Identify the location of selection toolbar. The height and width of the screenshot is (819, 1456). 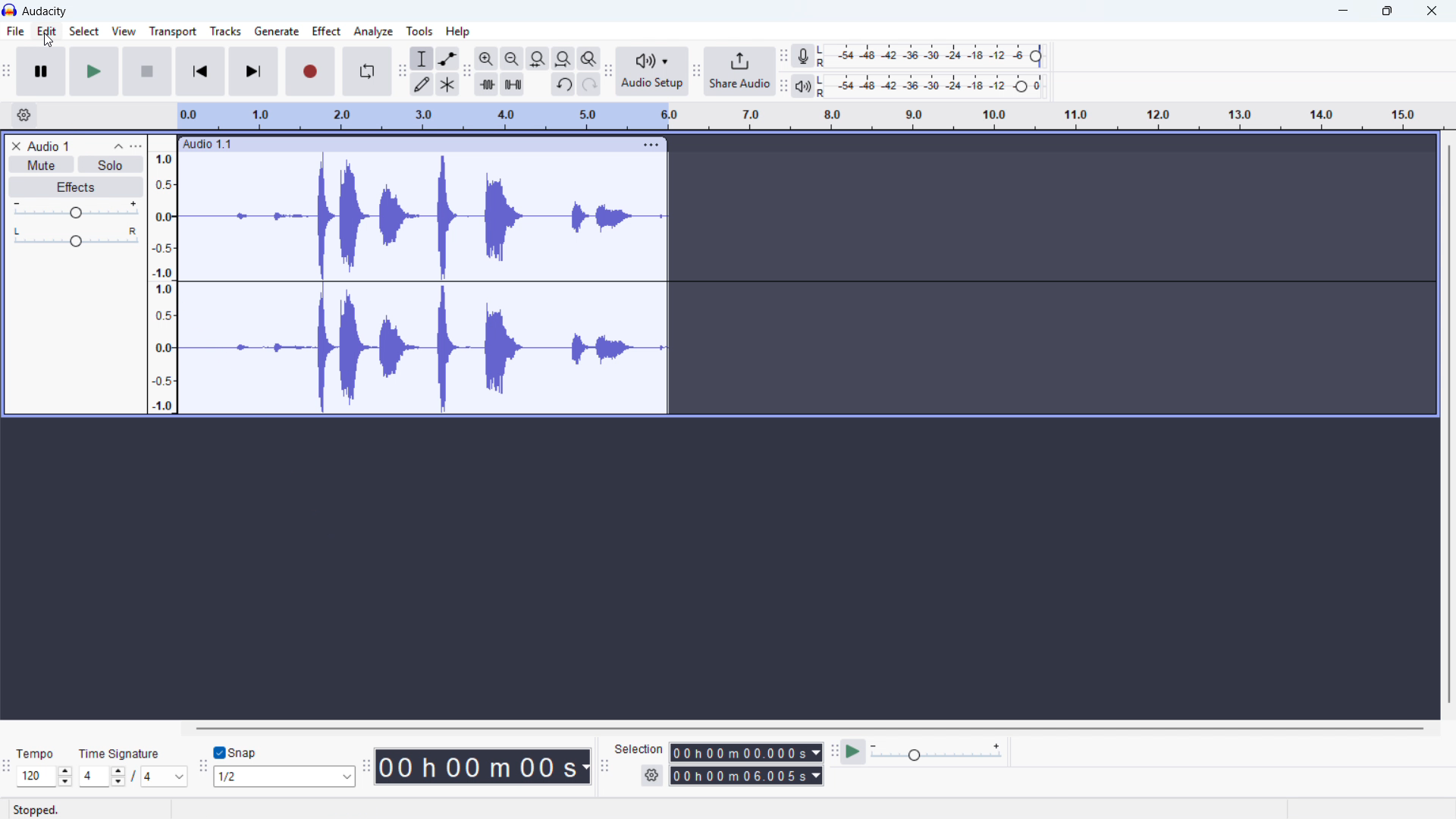
(604, 767).